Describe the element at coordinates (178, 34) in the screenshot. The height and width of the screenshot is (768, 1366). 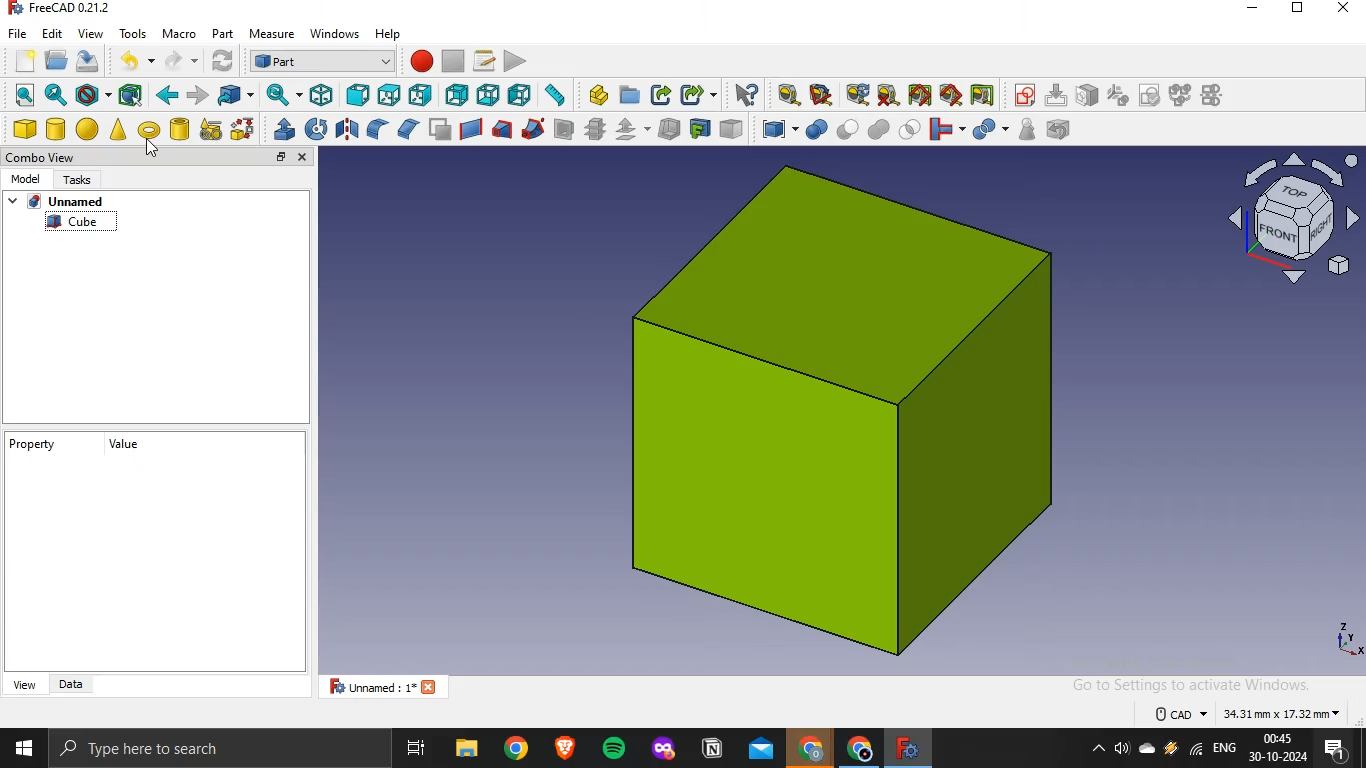
I see `macro` at that location.